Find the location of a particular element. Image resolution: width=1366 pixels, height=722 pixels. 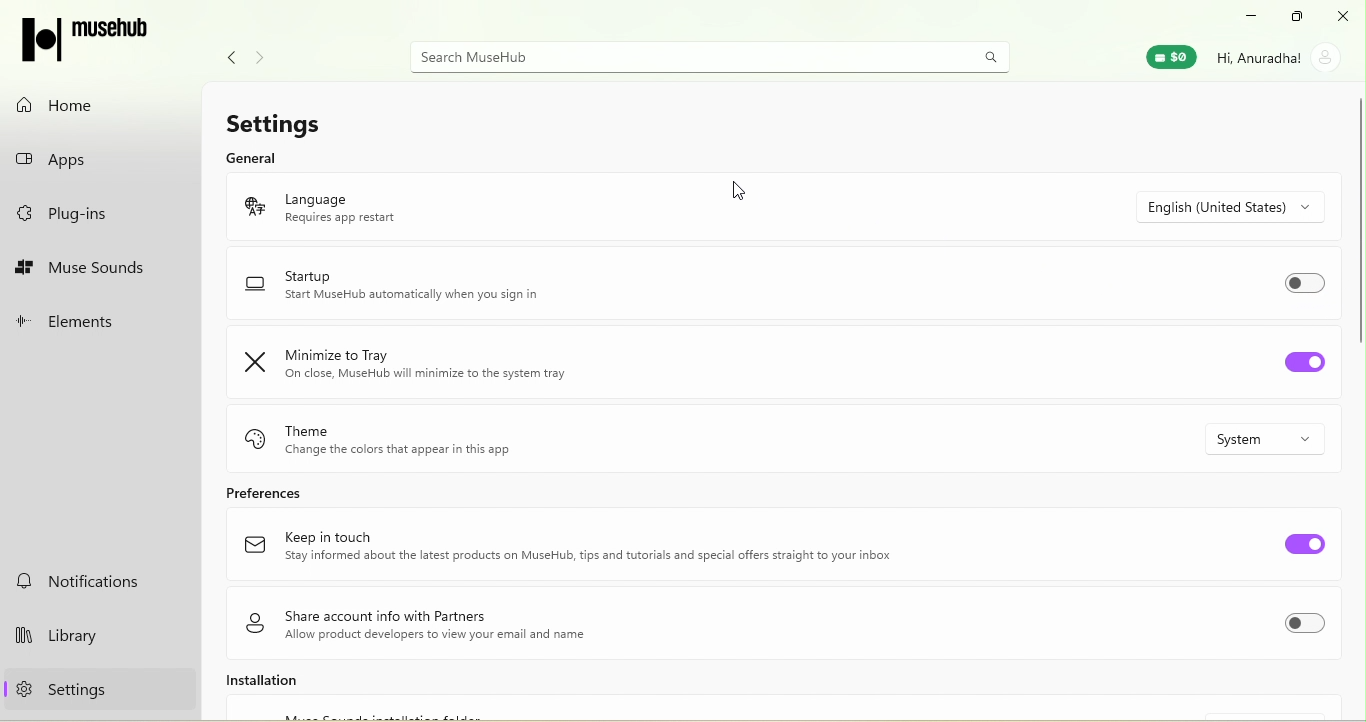

navigate forward is located at coordinates (266, 51).